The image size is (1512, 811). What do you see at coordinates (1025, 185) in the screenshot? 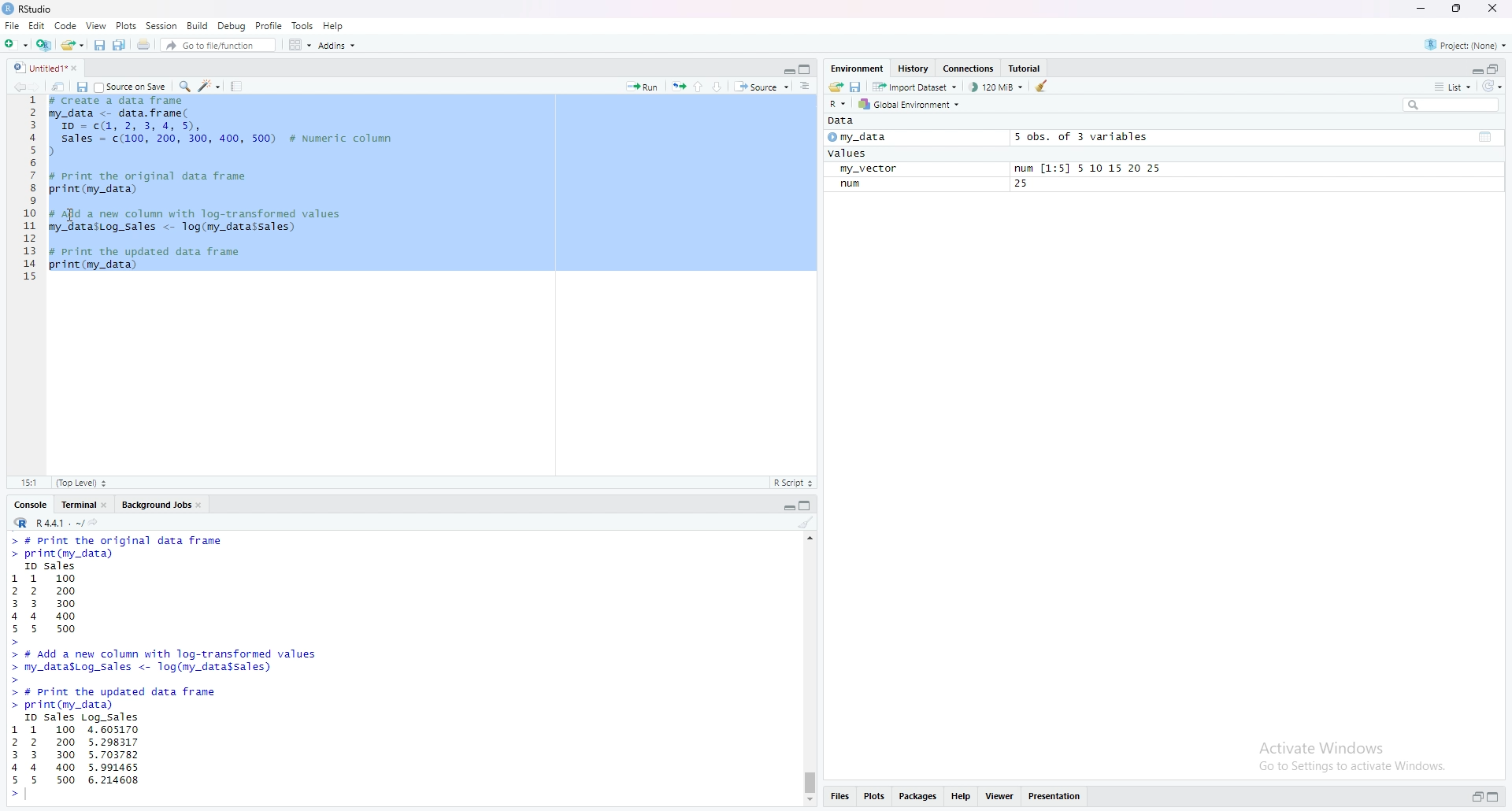
I see `25` at bounding box center [1025, 185].